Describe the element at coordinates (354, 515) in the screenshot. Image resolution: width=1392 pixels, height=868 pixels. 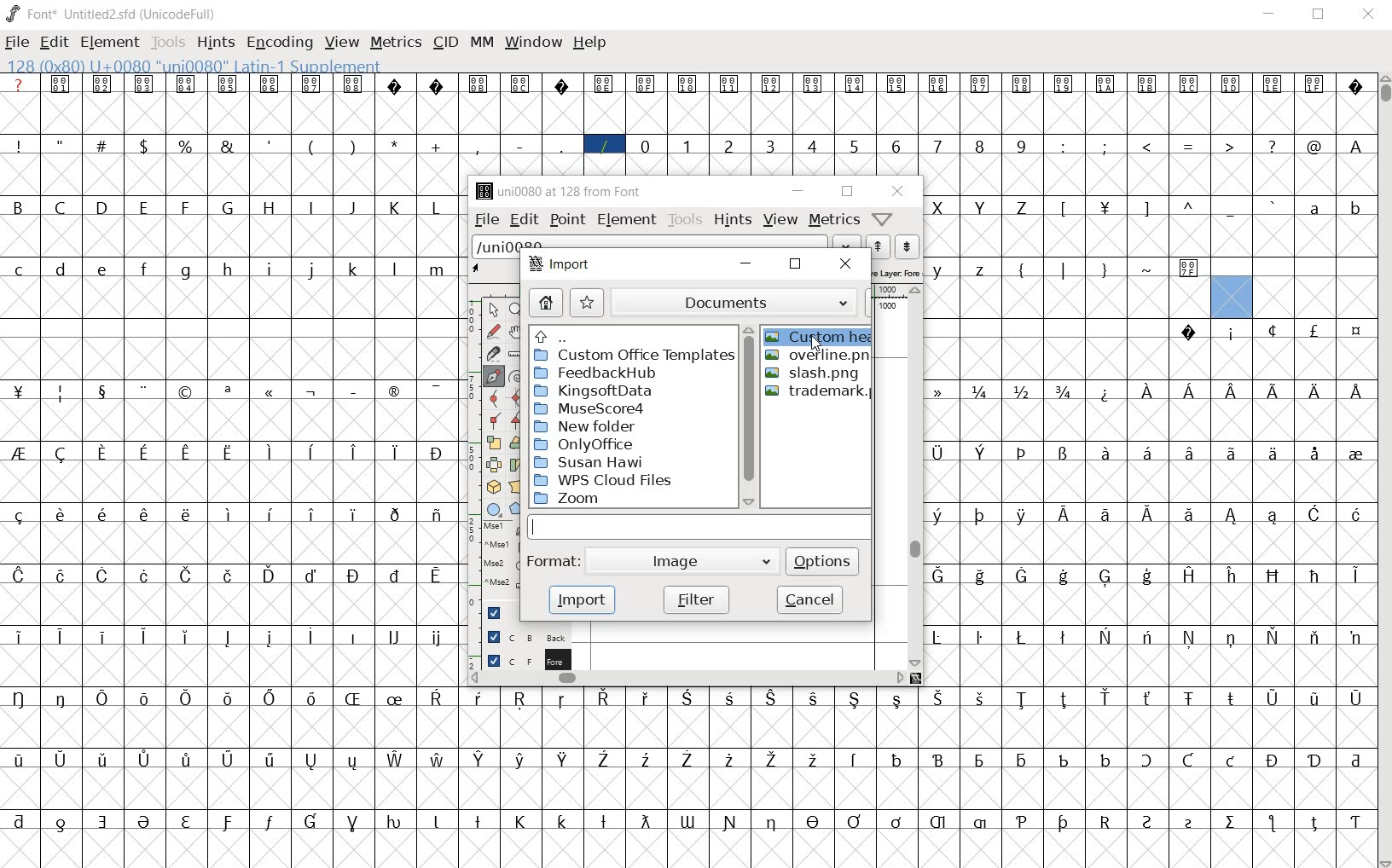
I see `glyph` at that location.